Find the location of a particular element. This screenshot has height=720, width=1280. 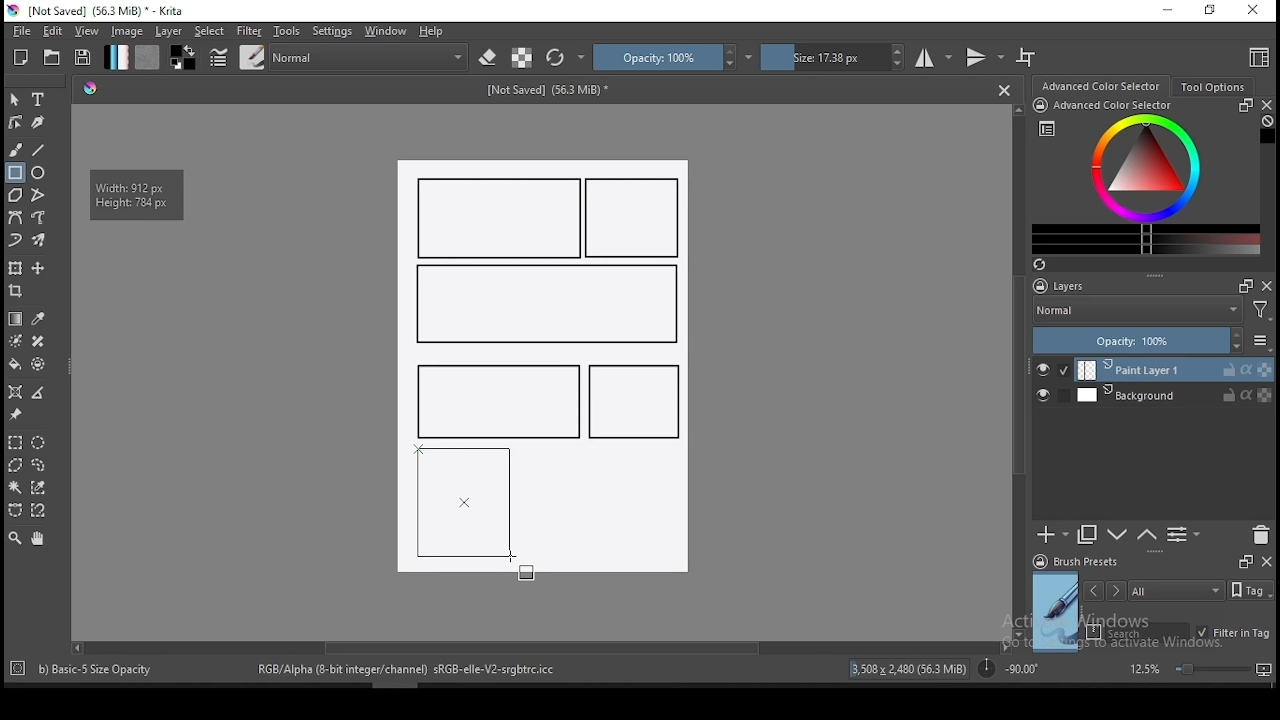

new layer is located at coordinates (1053, 534).